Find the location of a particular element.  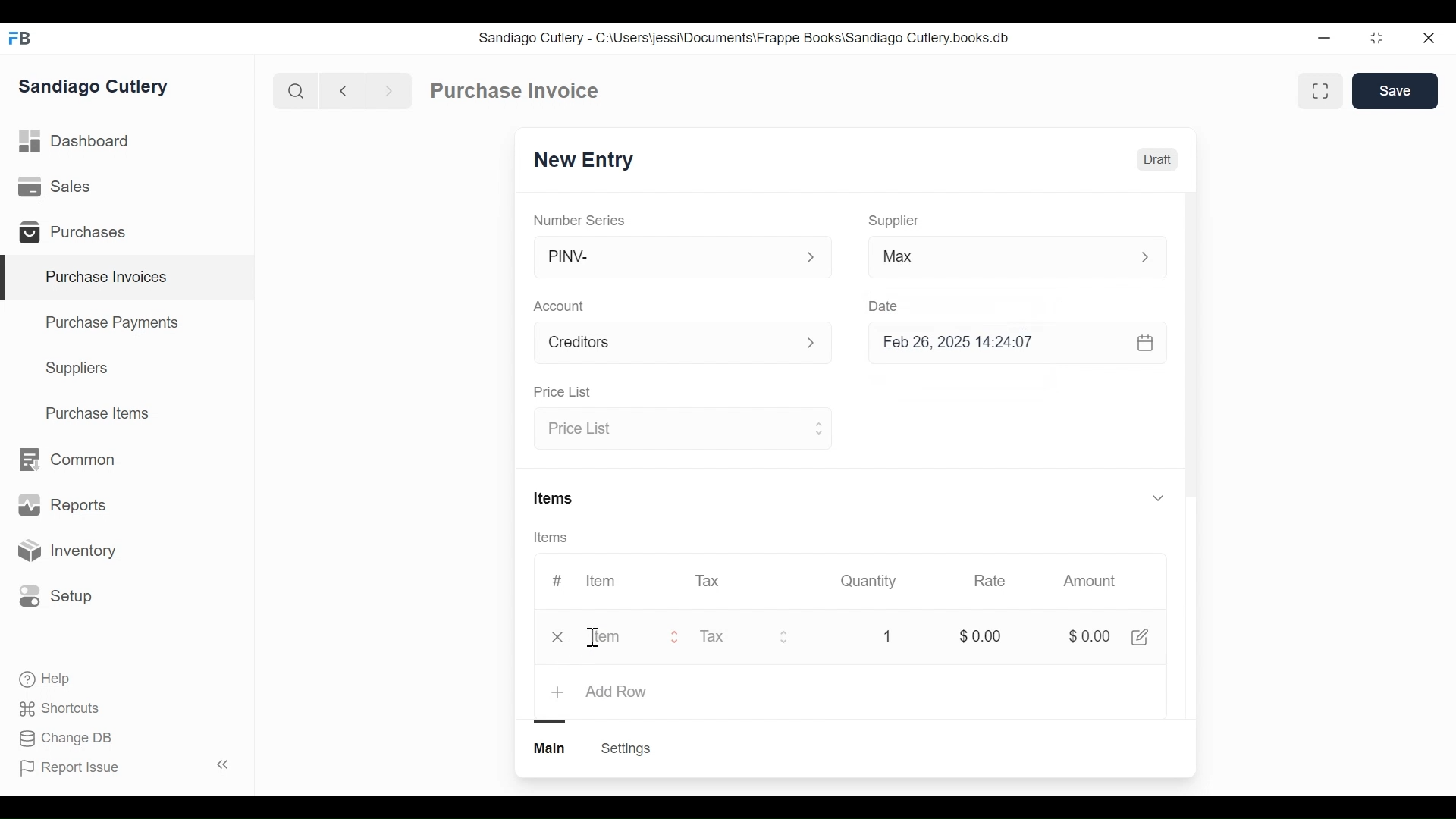

Sandiago Cutlery - C:\Users\jessi\Documents\Frappe Books\Sandiago Cutlery.books.db is located at coordinates (745, 38).